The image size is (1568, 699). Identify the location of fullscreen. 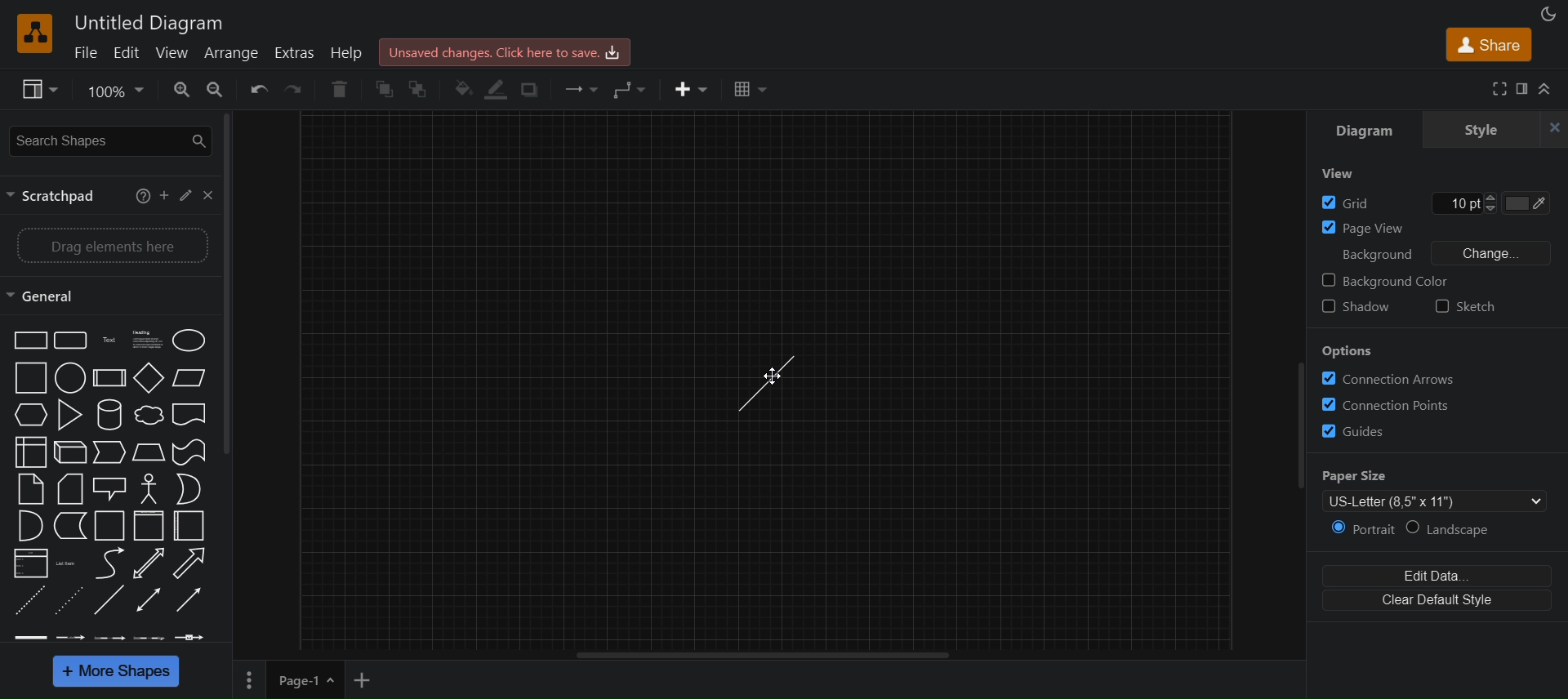
(1497, 89).